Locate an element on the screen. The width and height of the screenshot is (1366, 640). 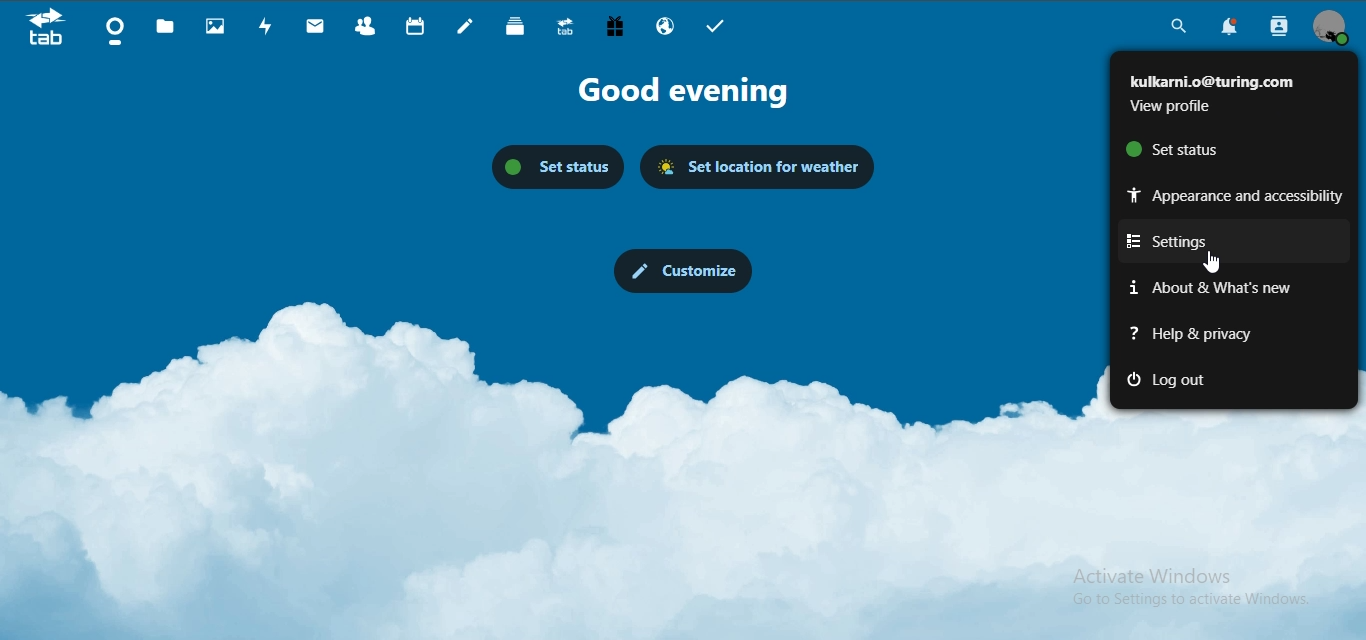
files is located at coordinates (167, 27).